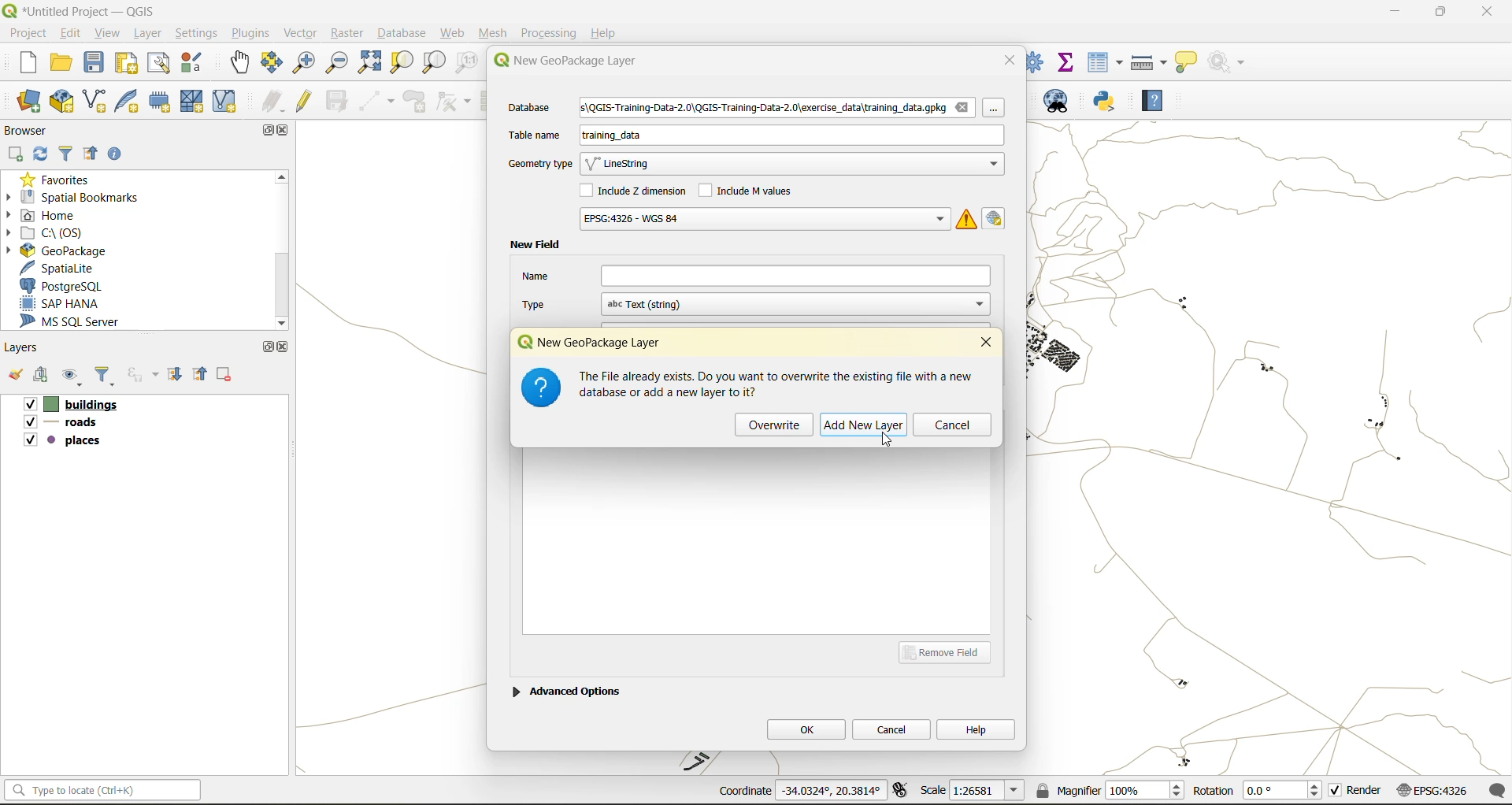 The height and width of the screenshot is (805, 1512). I want to click on help, so click(1152, 103).